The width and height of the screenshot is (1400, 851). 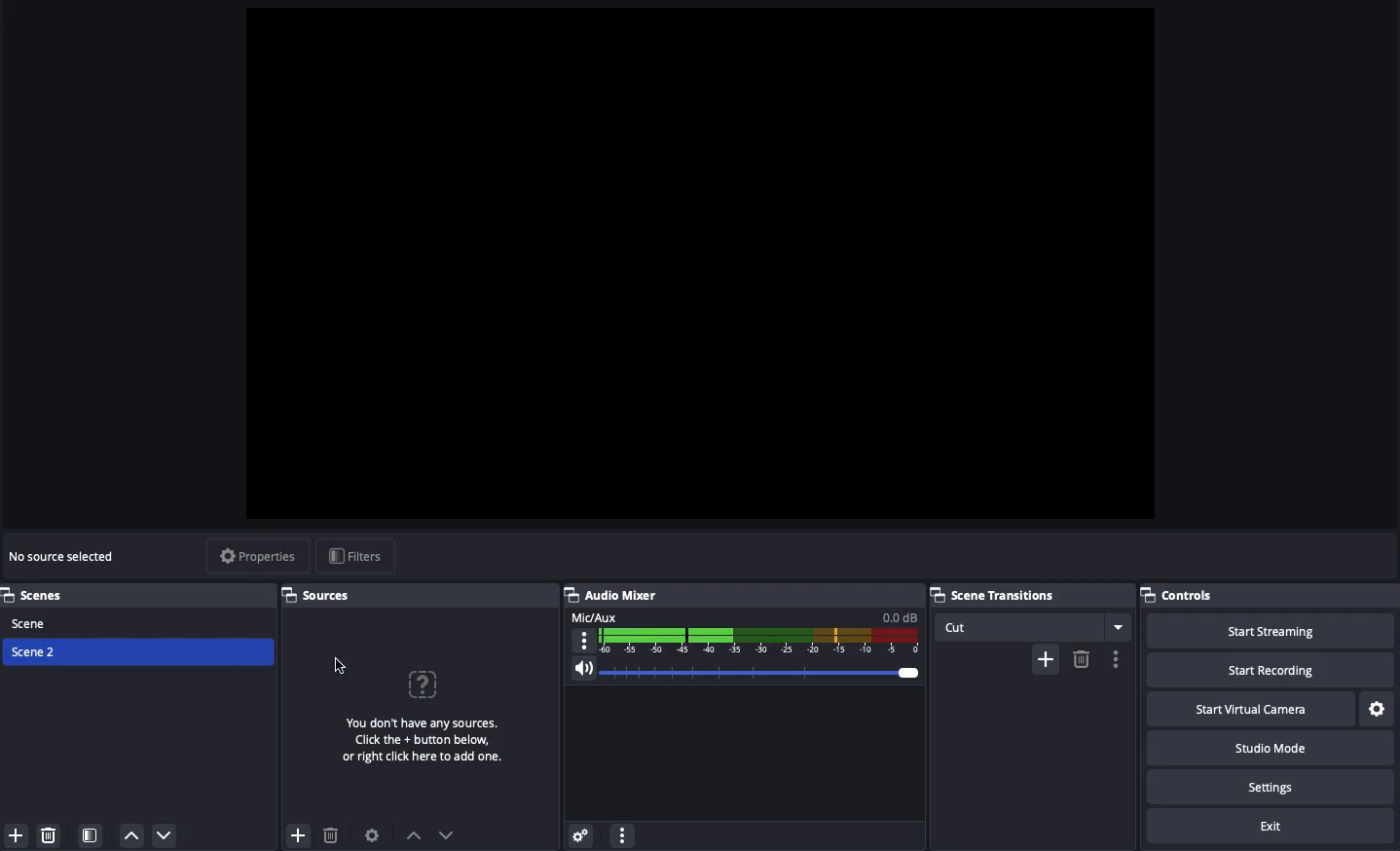 What do you see at coordinates (706, 262) in the screenshot?
I see `Screen` at bounding box center [706, 262].